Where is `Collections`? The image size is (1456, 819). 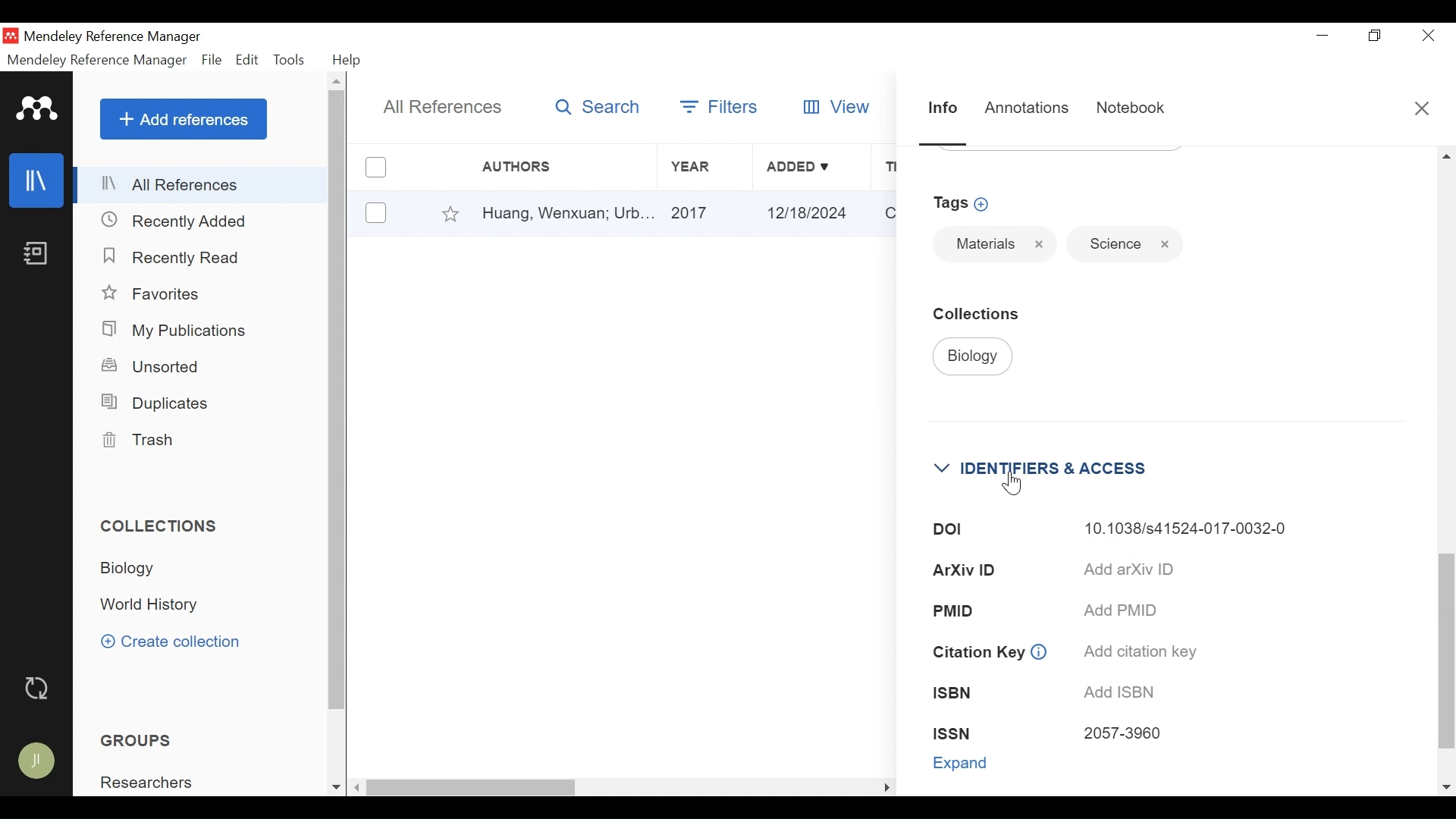 Collections is located at coordinates (166, 526).